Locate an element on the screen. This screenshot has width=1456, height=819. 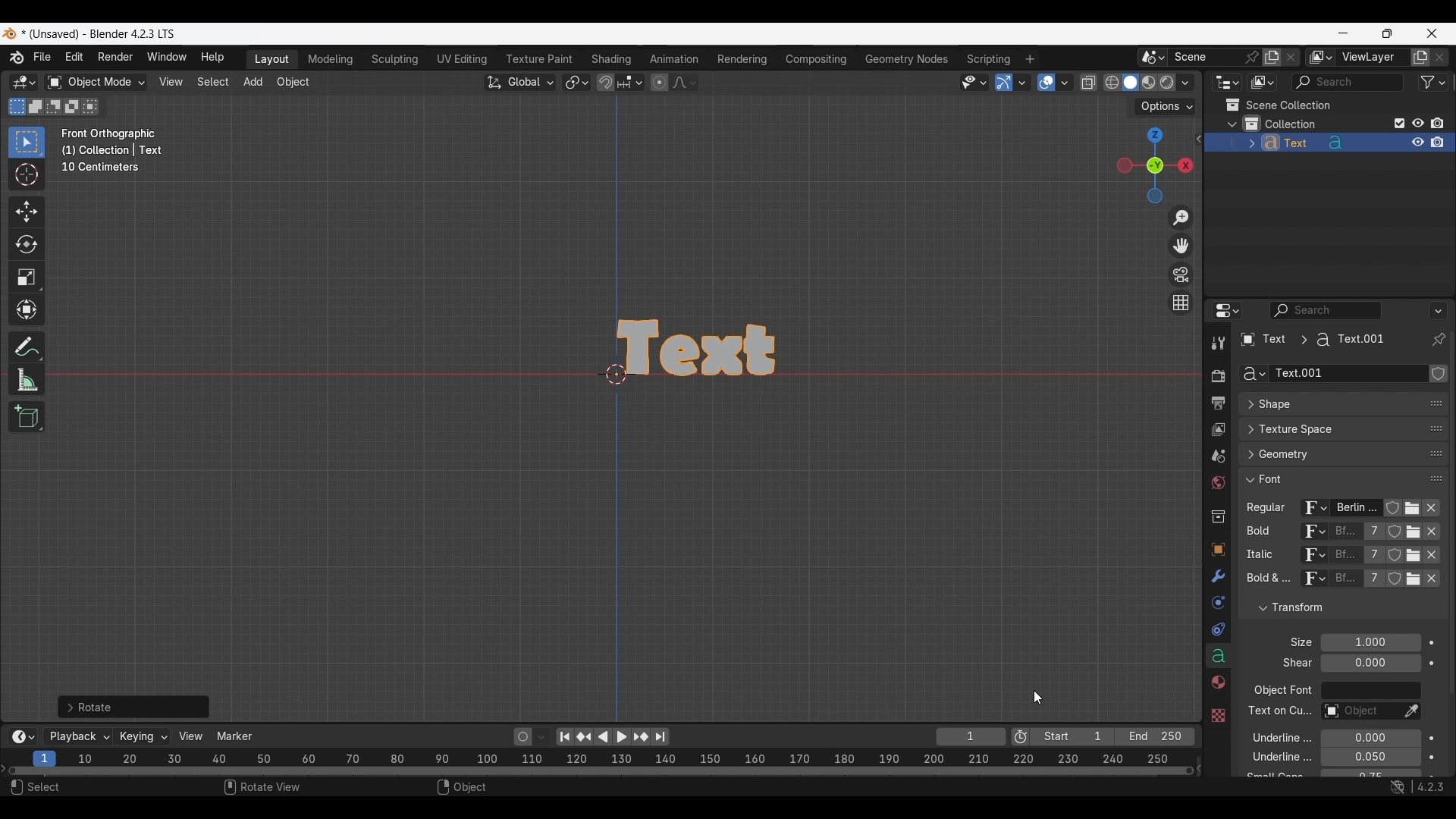
Pathway of current panel changed is located at coordinates (1311, 340).